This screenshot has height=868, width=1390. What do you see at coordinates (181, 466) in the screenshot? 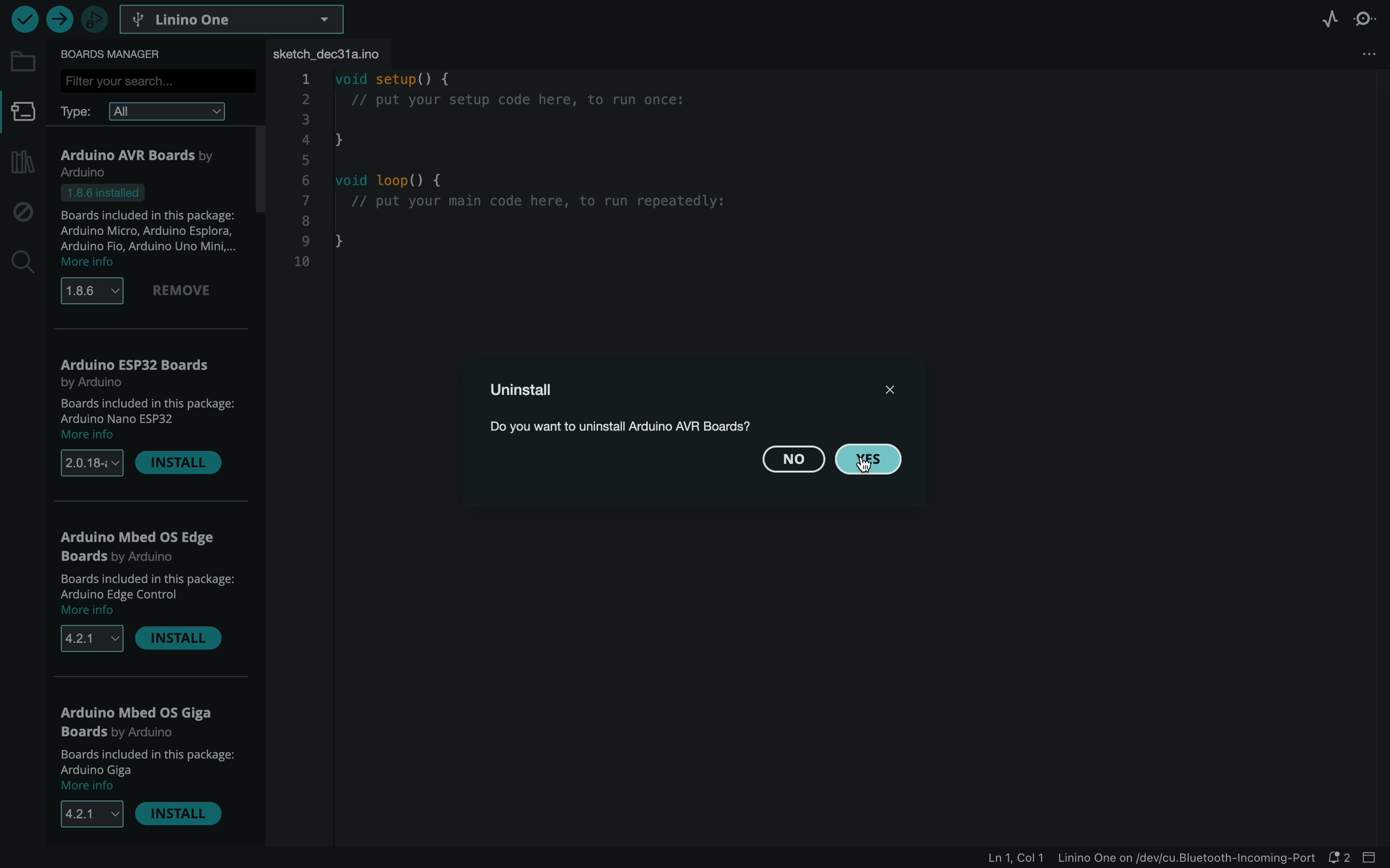
I see `install` at bounding box center [181, 466].